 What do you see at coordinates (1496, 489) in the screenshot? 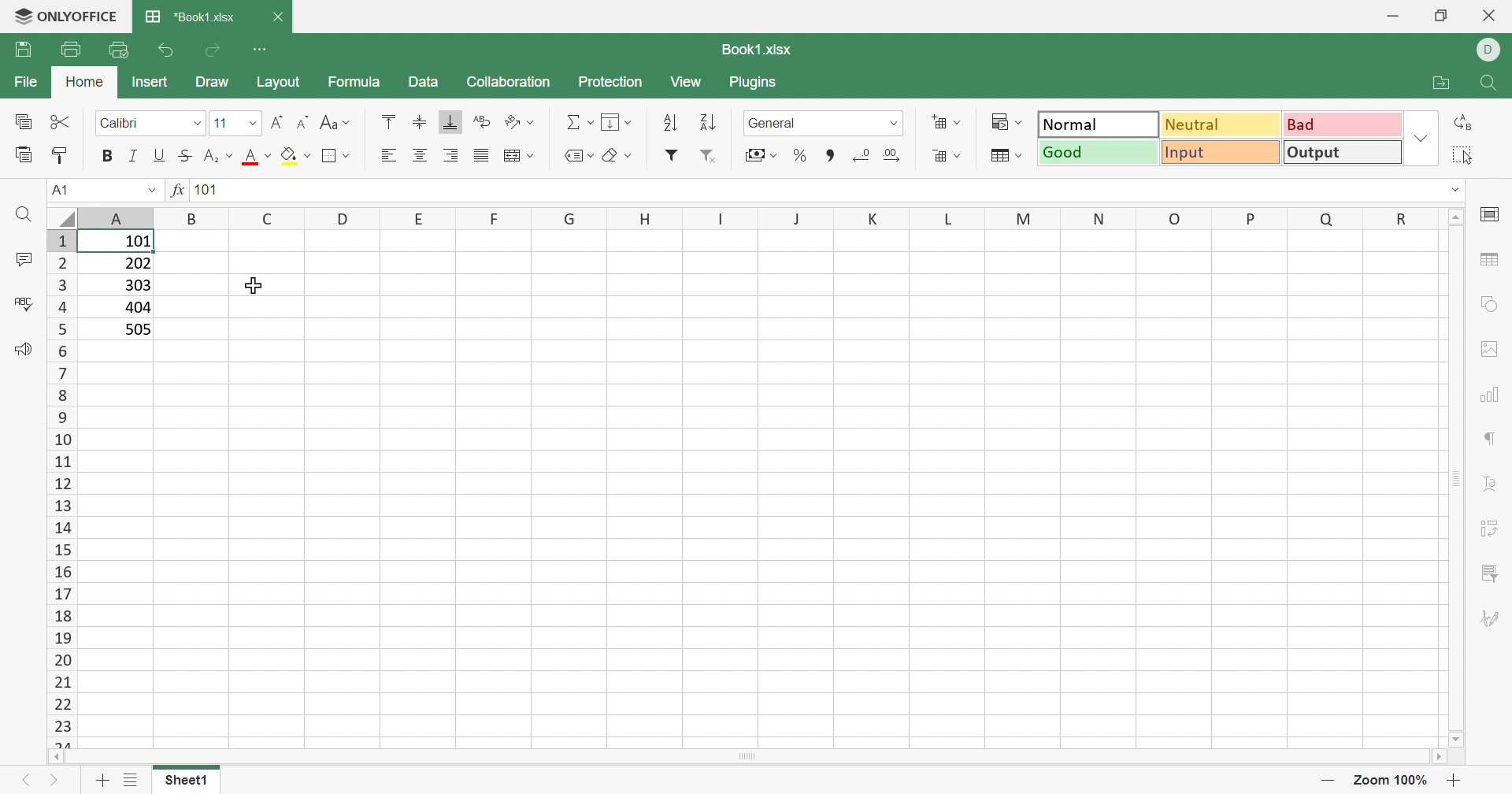
I see `Text Art settings` at bounding box center [1496, 489].